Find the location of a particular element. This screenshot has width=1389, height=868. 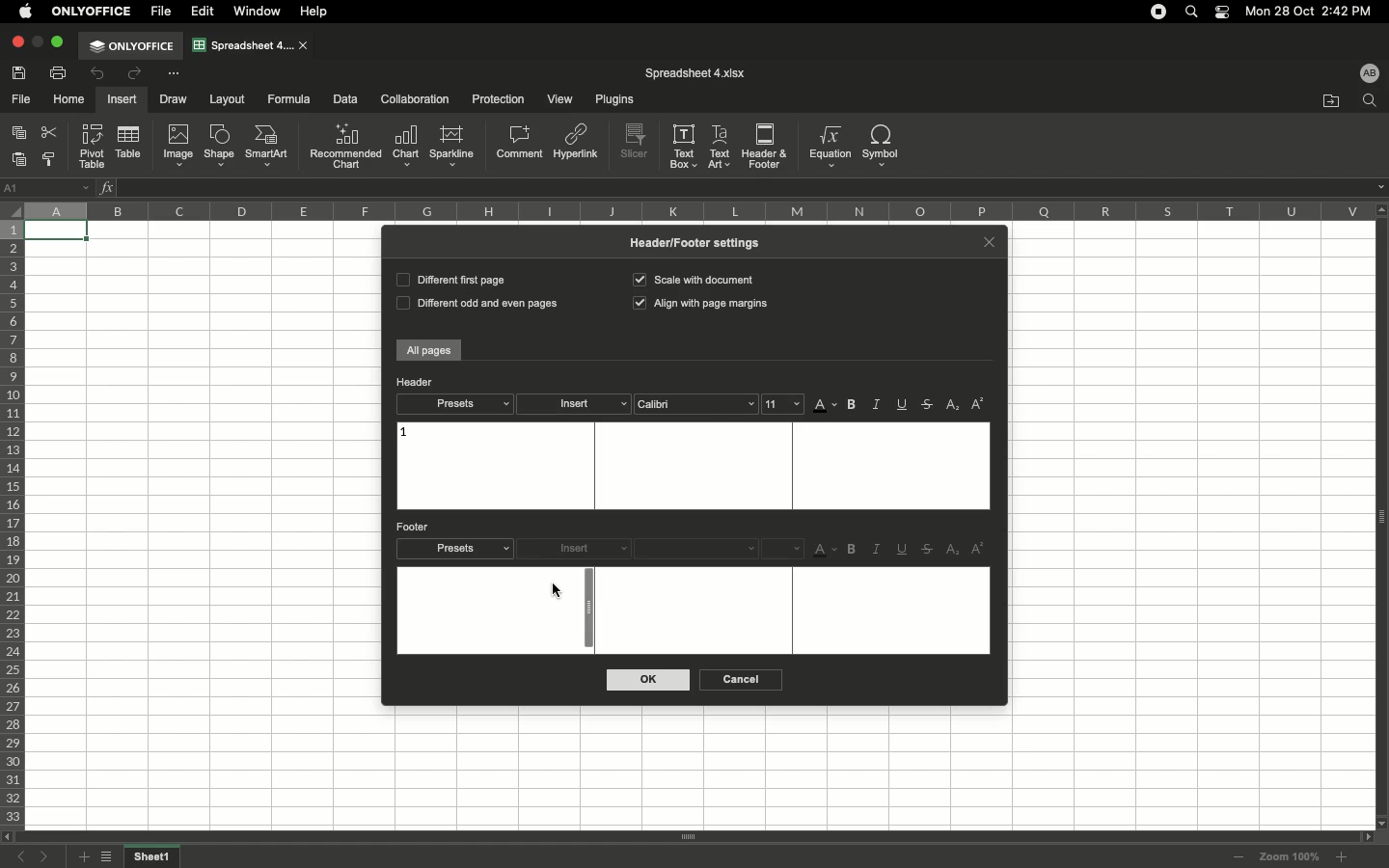

Different odd and even pages is located at coordinates (474, 305).